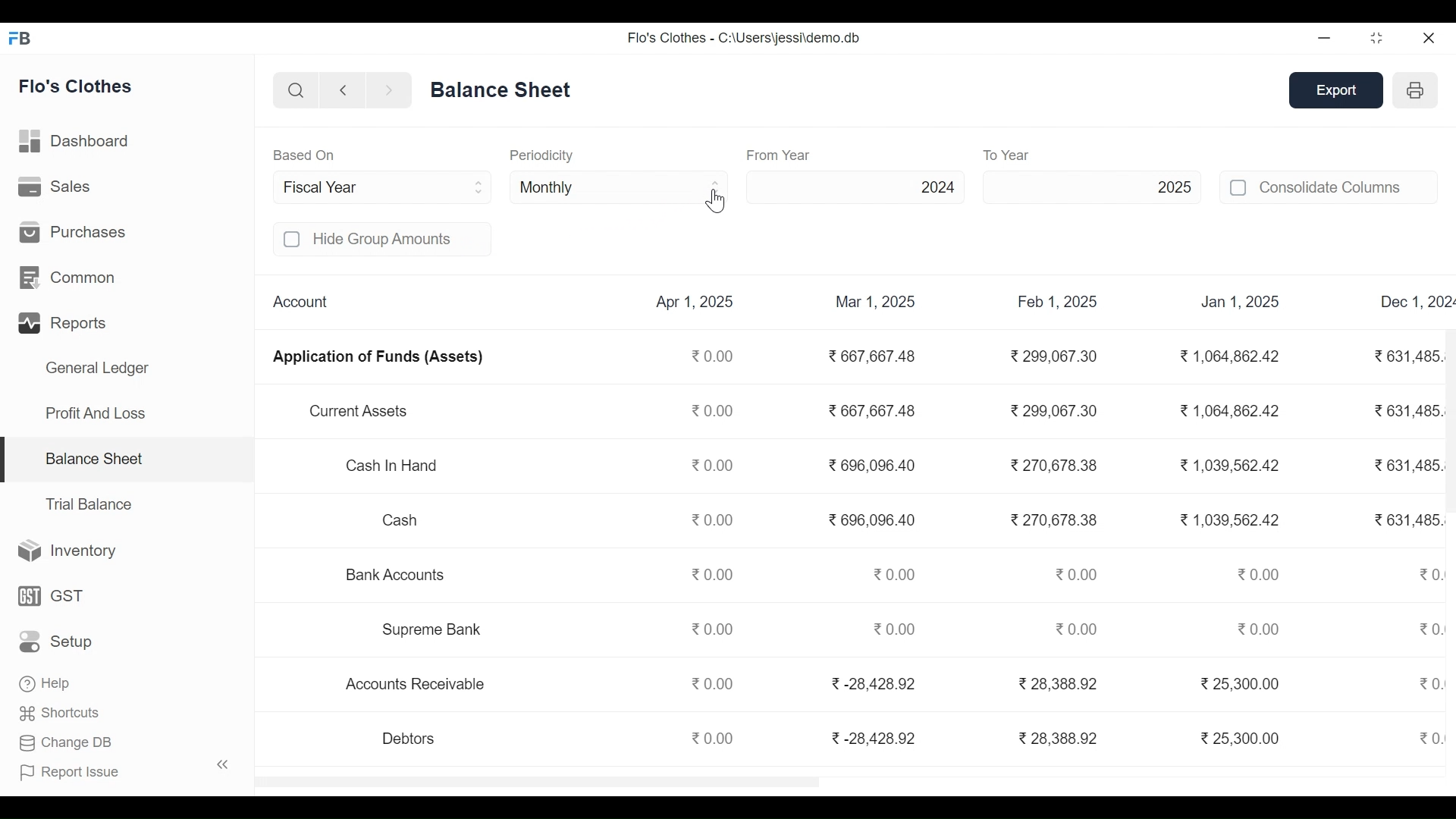 The image size is (1456, 819). Describe the element at coordinates (808, 572) in the screenshot. I see `Bank Accounts %0.00 %0.00 20.00 20.00` at that location.